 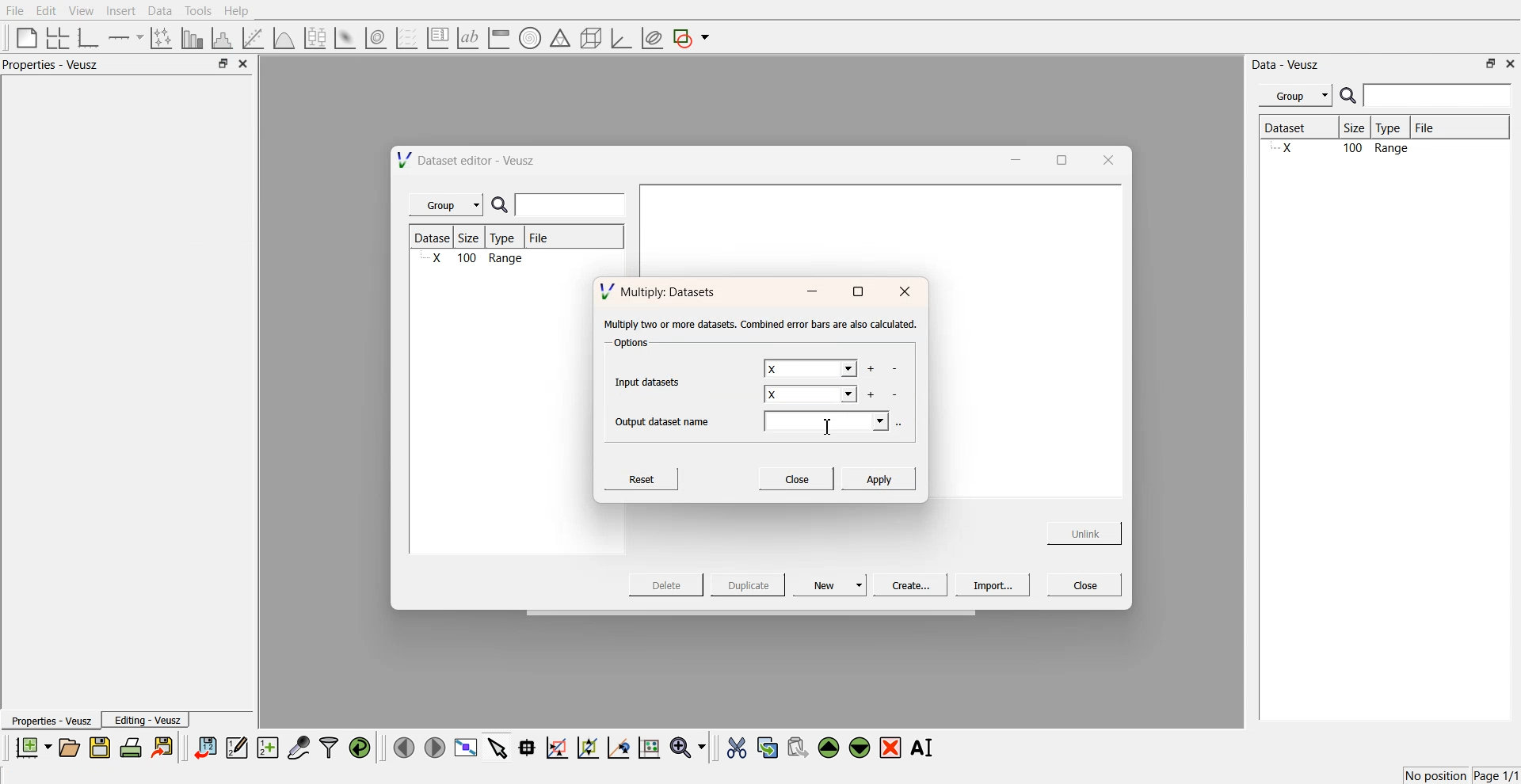 What do you see at coordinates (644, 478) in the screenshot?
I see `Reset` at bounding box center [644, 478].